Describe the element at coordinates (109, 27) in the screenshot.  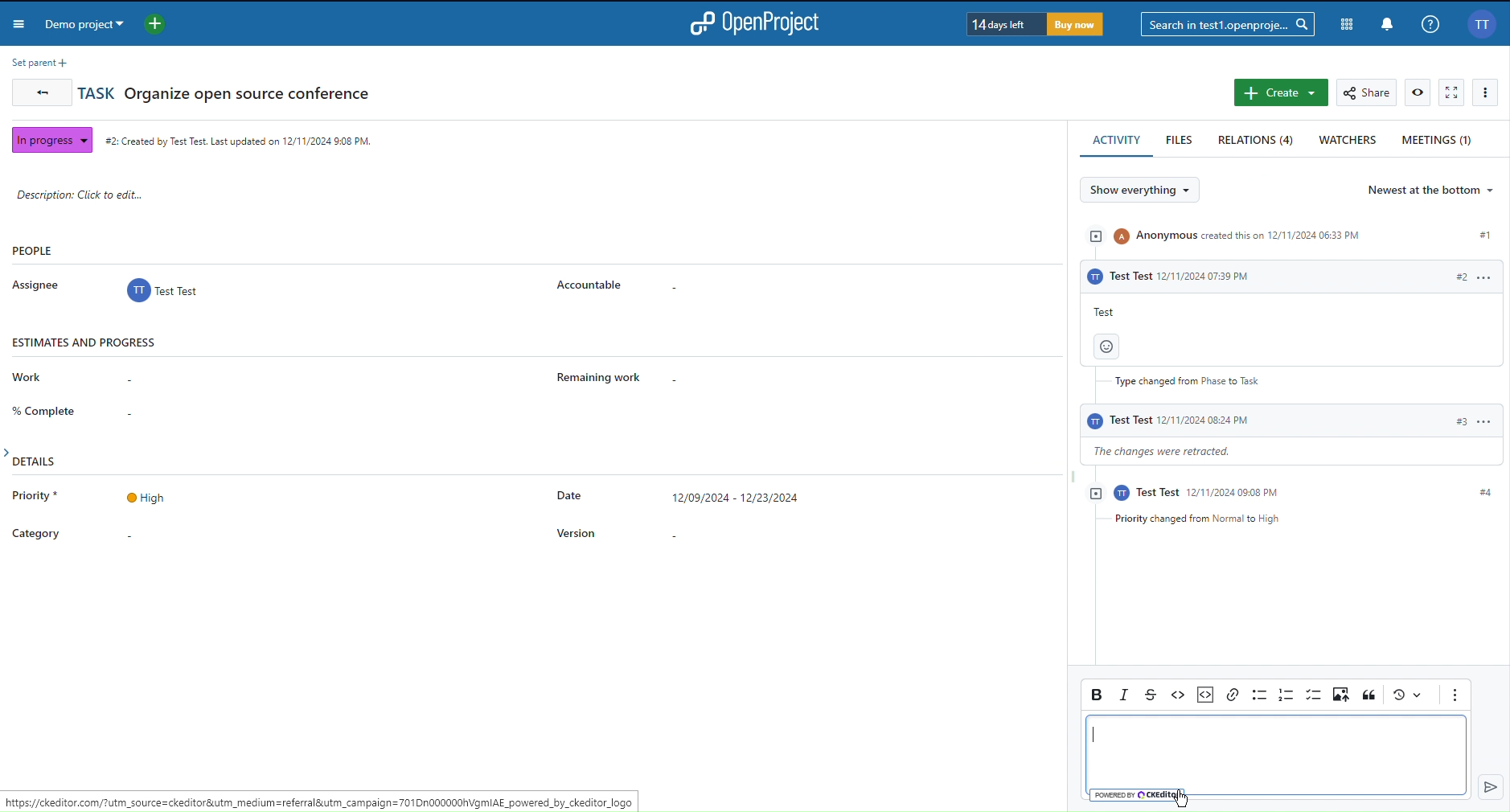
I see `Demo Projecy` at that location.